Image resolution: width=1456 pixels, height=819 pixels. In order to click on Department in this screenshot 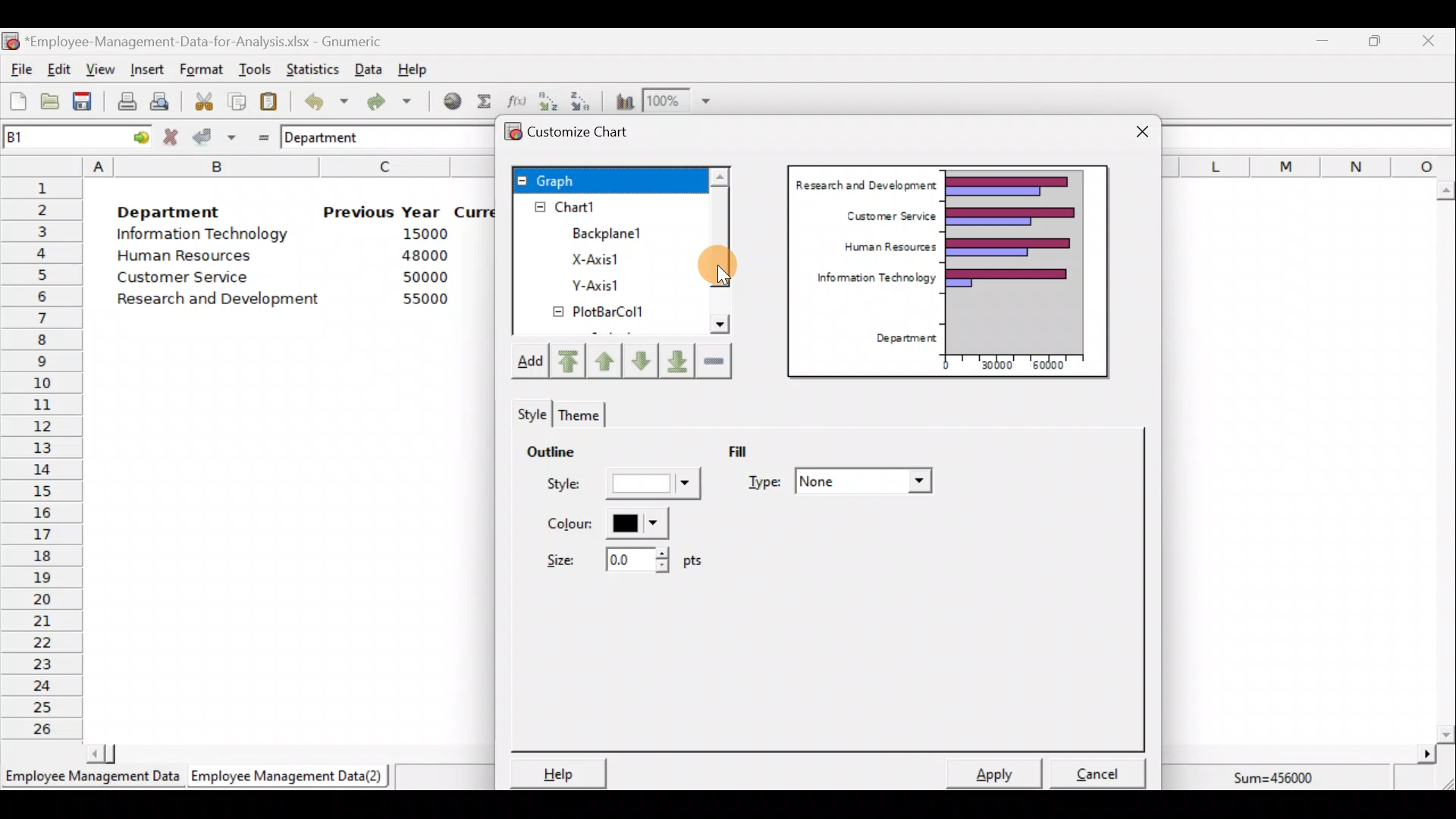, I will do `click(168, 208)`.